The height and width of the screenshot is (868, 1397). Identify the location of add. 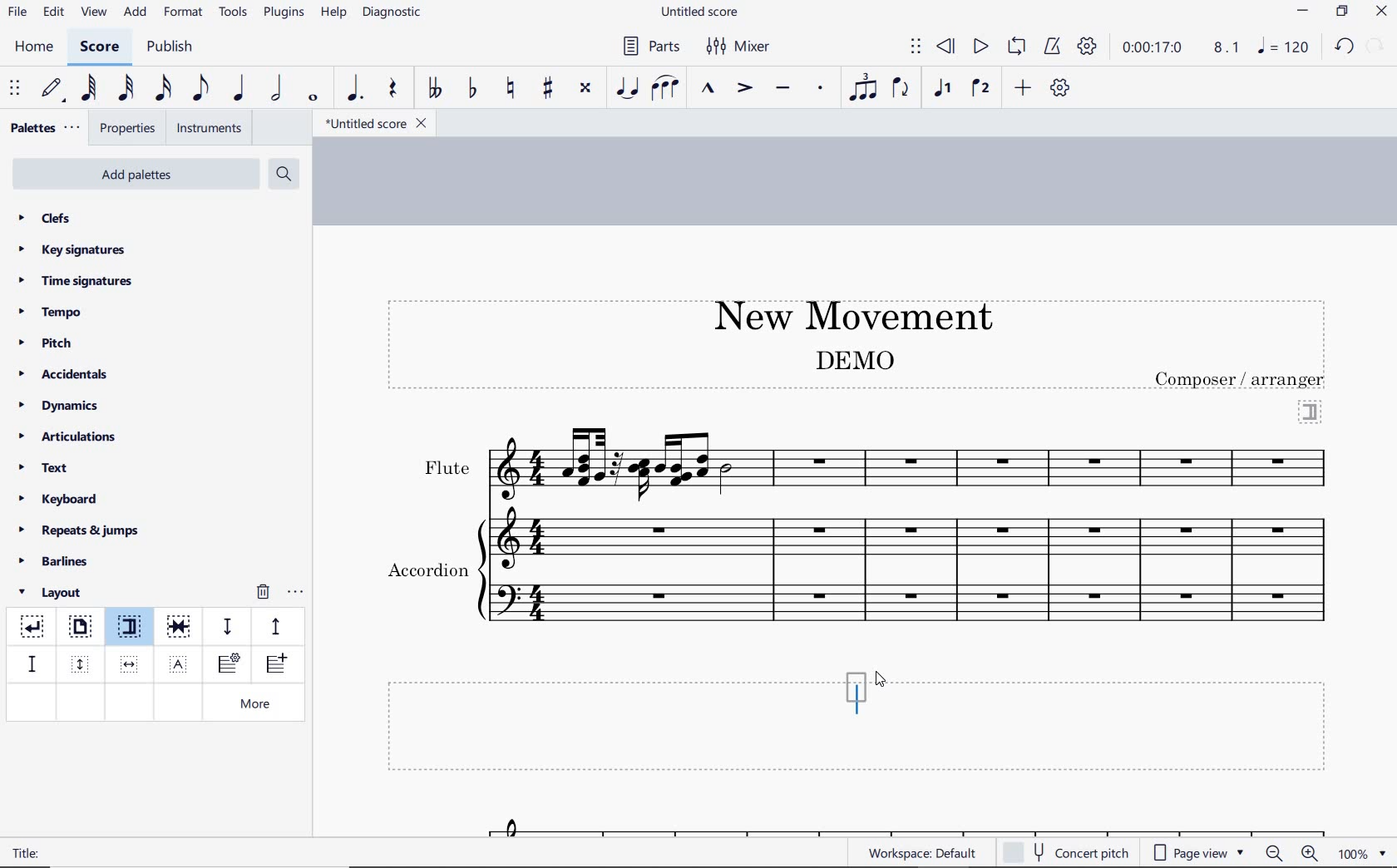
(1025, 87).